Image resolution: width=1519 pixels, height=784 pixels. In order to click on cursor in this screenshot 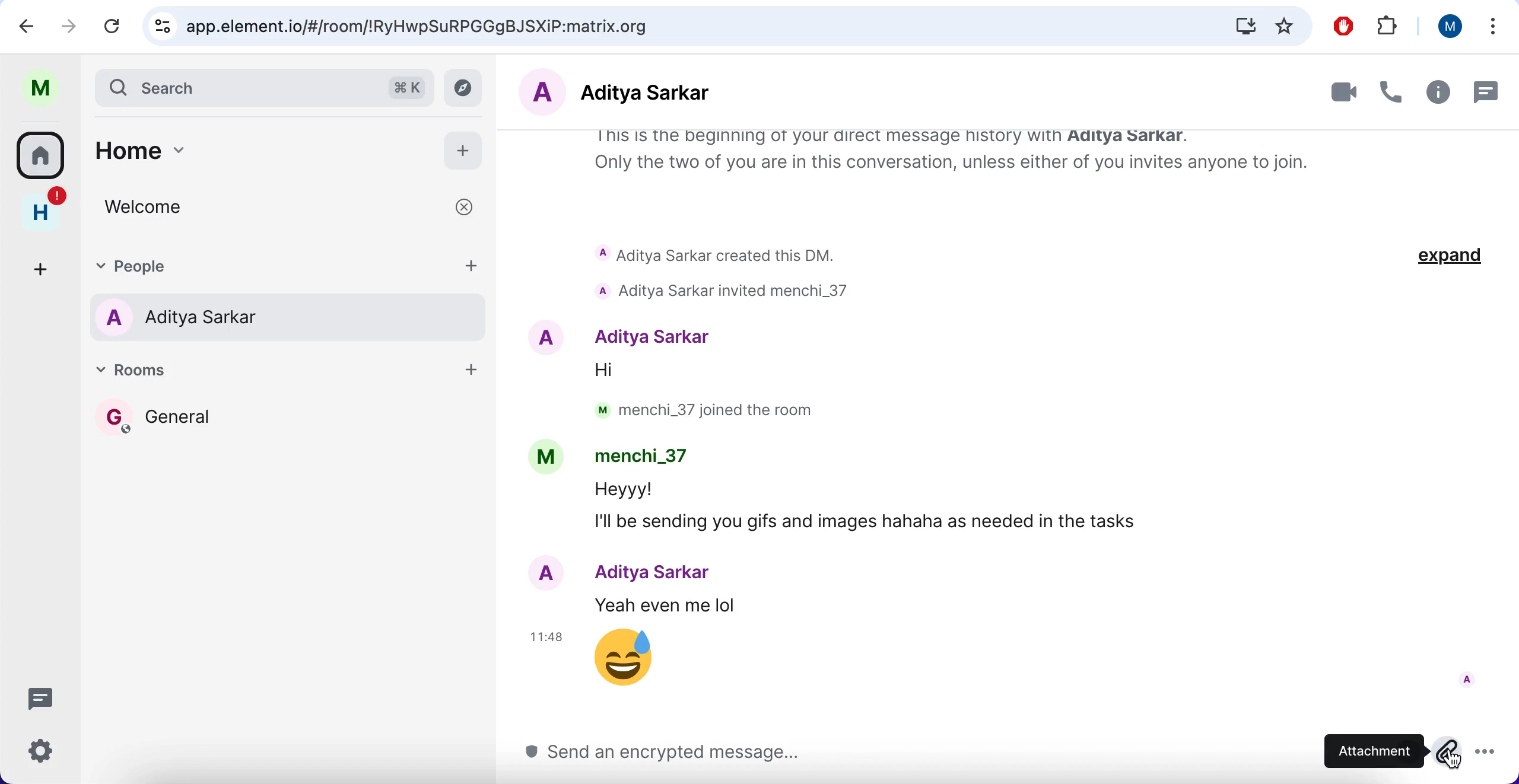, I will do `click(1448, 760)`.